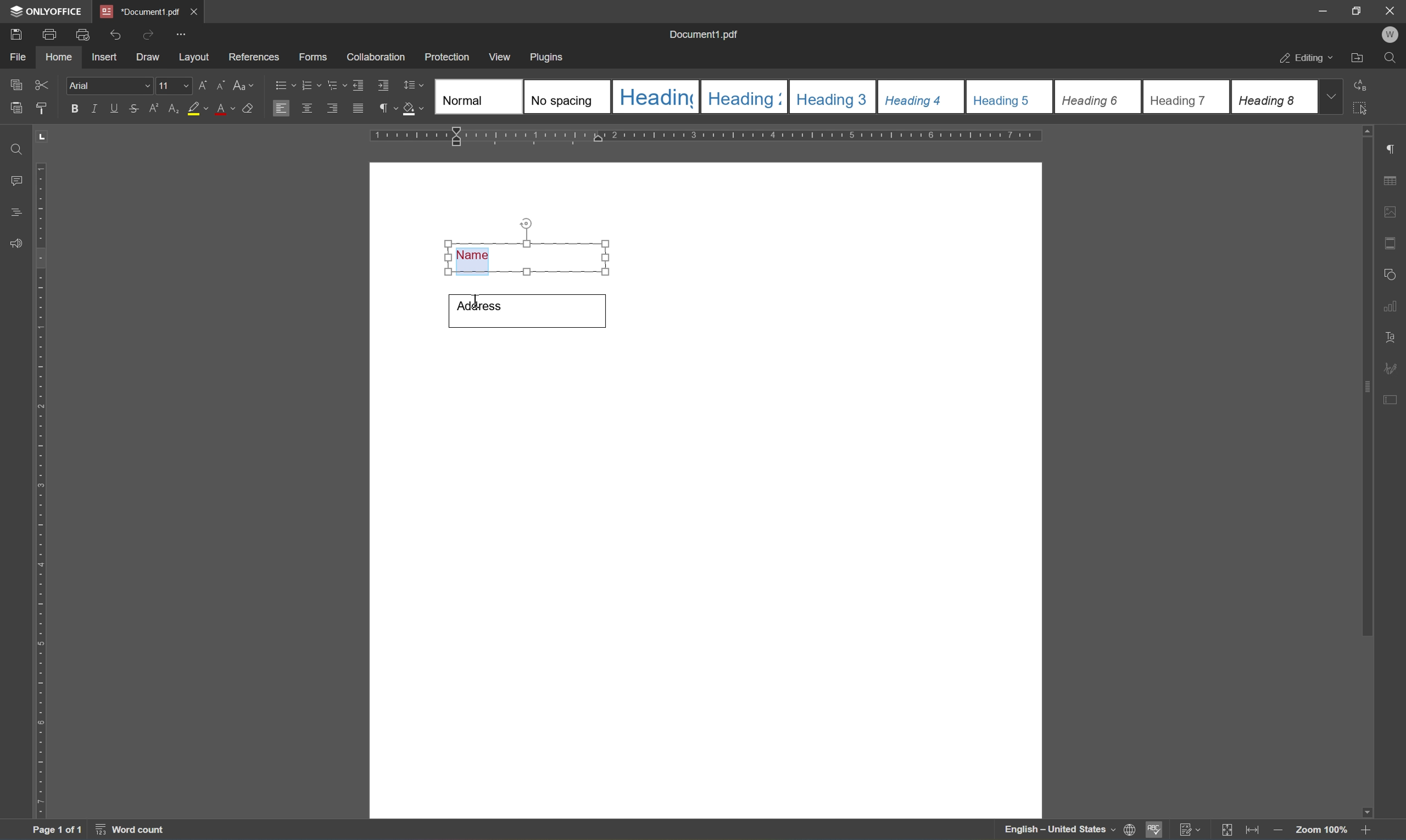 The height and width of the screenshot is (840, 1406). Describe the element at coordinates (110, 86) in the screenshot. I see `font` at that location.